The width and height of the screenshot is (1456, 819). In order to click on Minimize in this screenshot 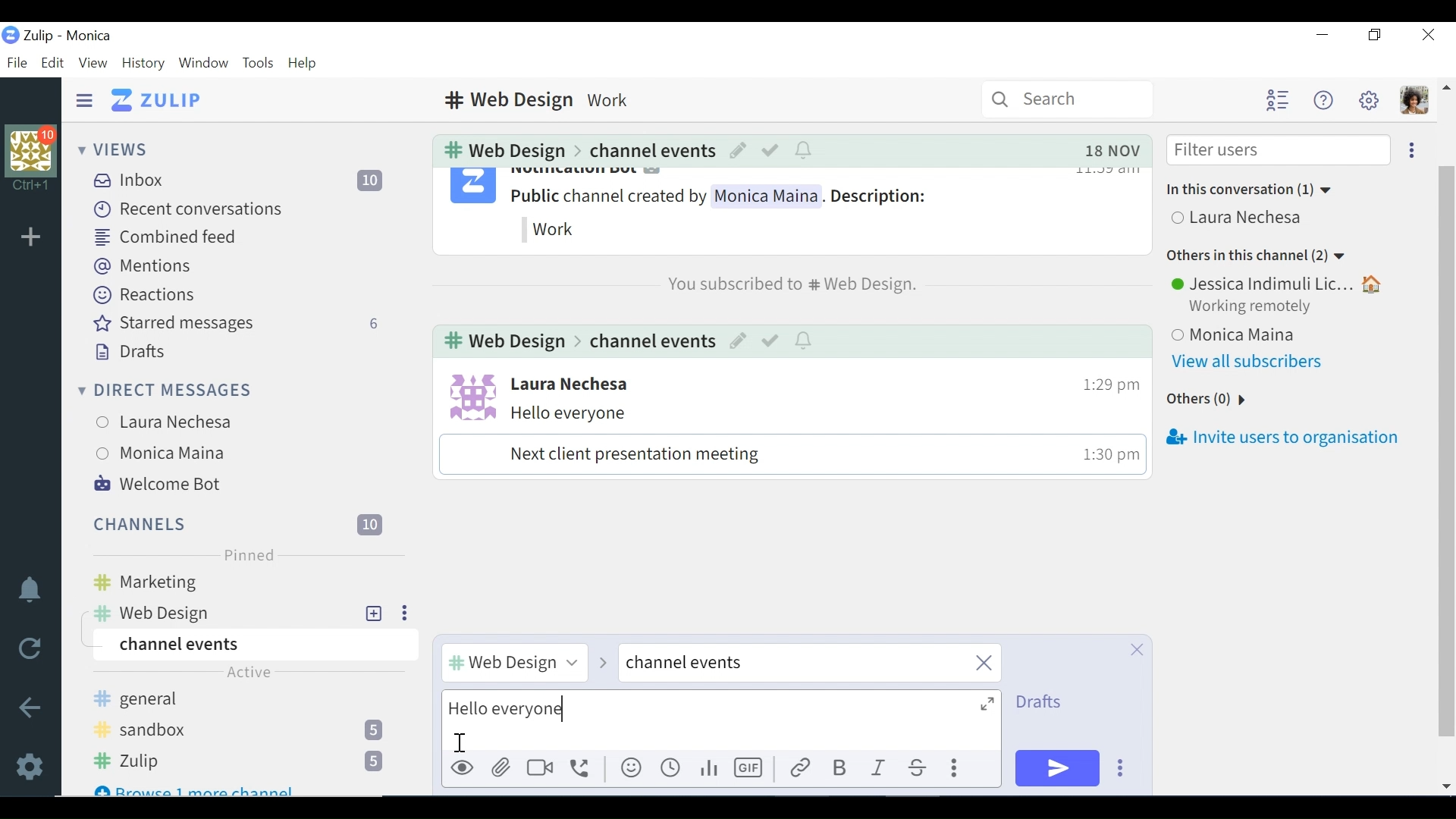, I will do `click(1322, 36)`.